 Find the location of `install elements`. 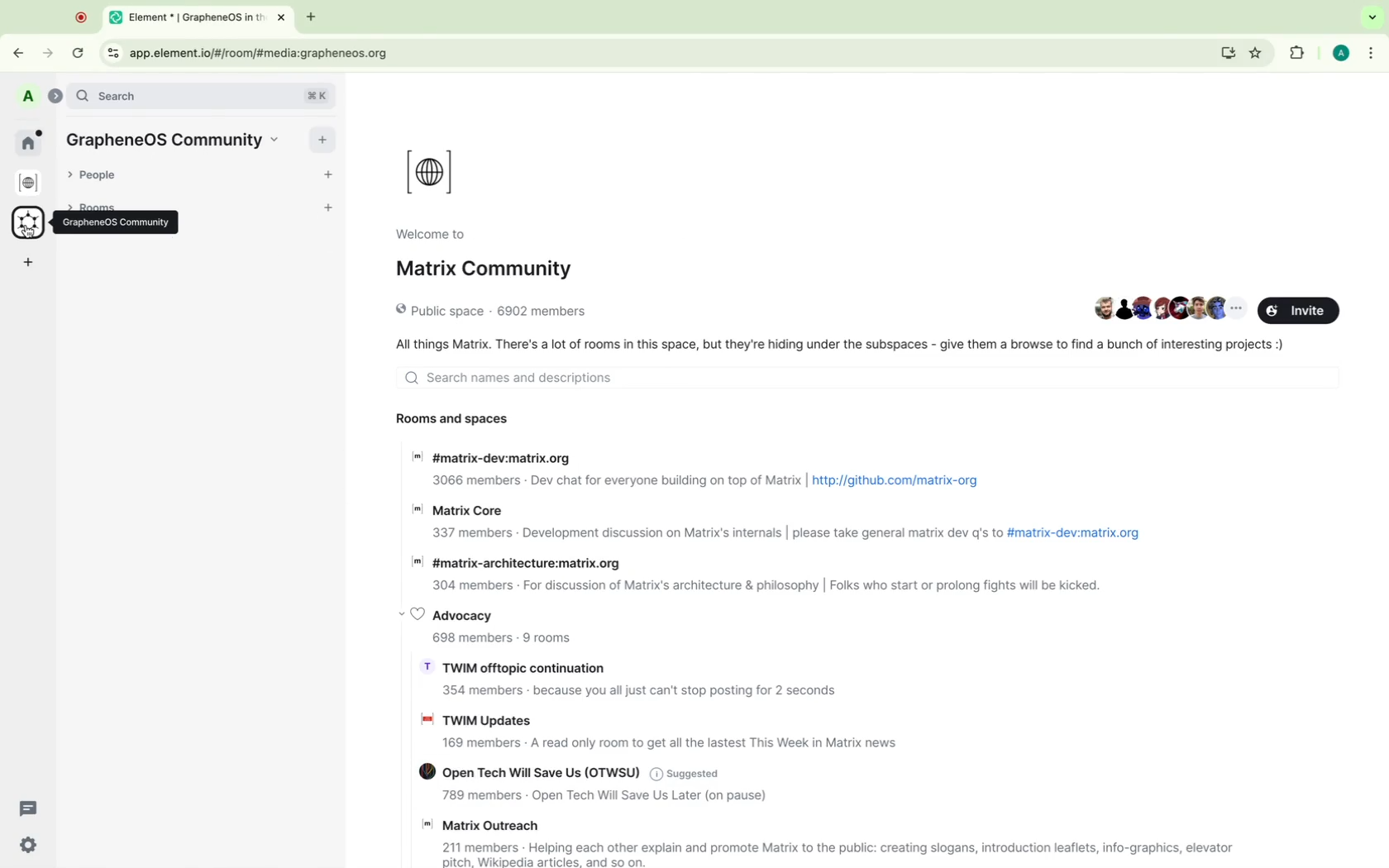

install elements is located at coordinates (1229, 55).